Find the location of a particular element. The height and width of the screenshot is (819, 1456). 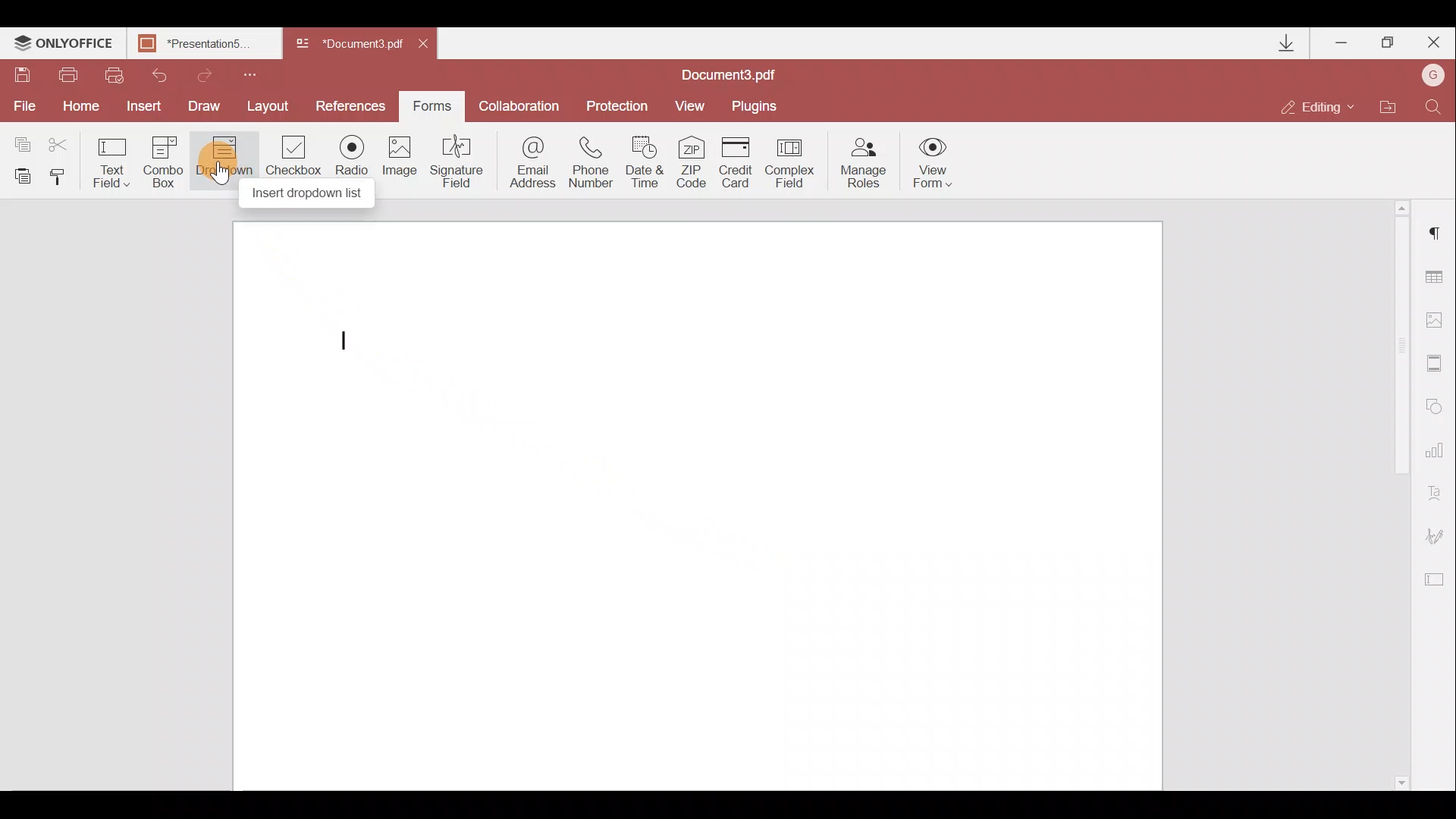

Scroll bar is located at coordinates (1397, 495).